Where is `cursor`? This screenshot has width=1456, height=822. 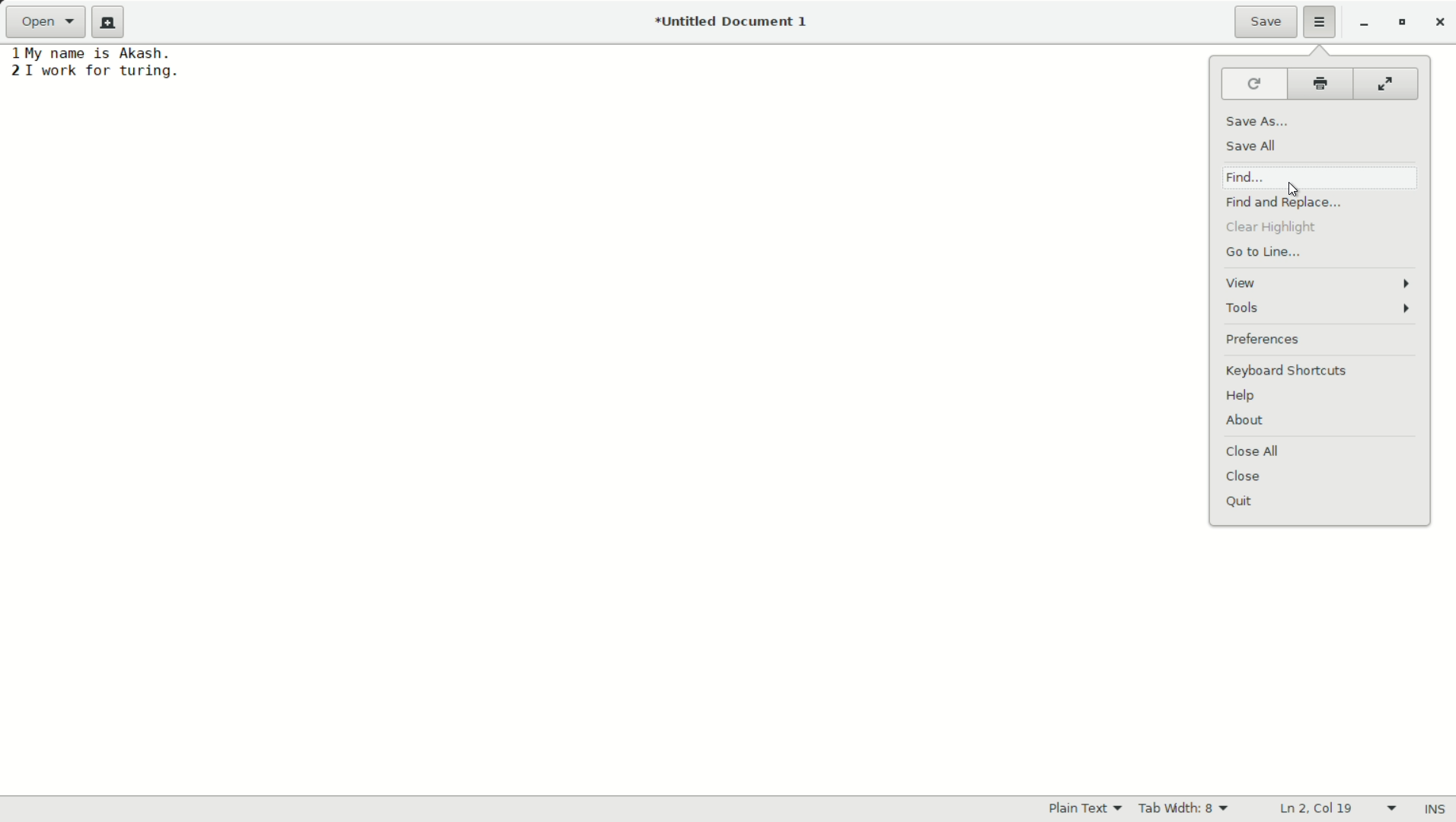
cursor is located at coordinates (1289, 187).